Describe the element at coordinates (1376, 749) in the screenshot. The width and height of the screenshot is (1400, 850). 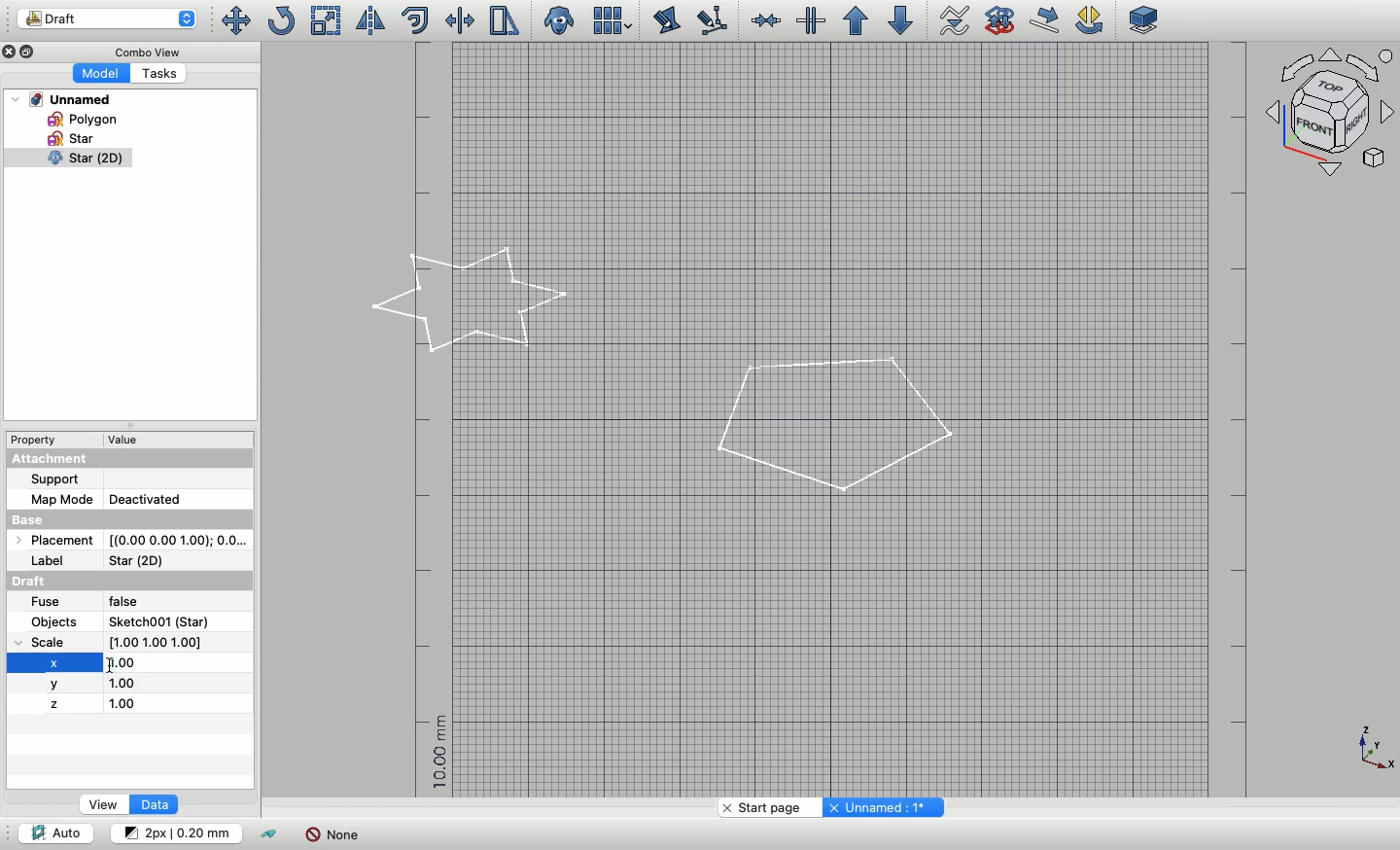
I see `Axis` at that location.